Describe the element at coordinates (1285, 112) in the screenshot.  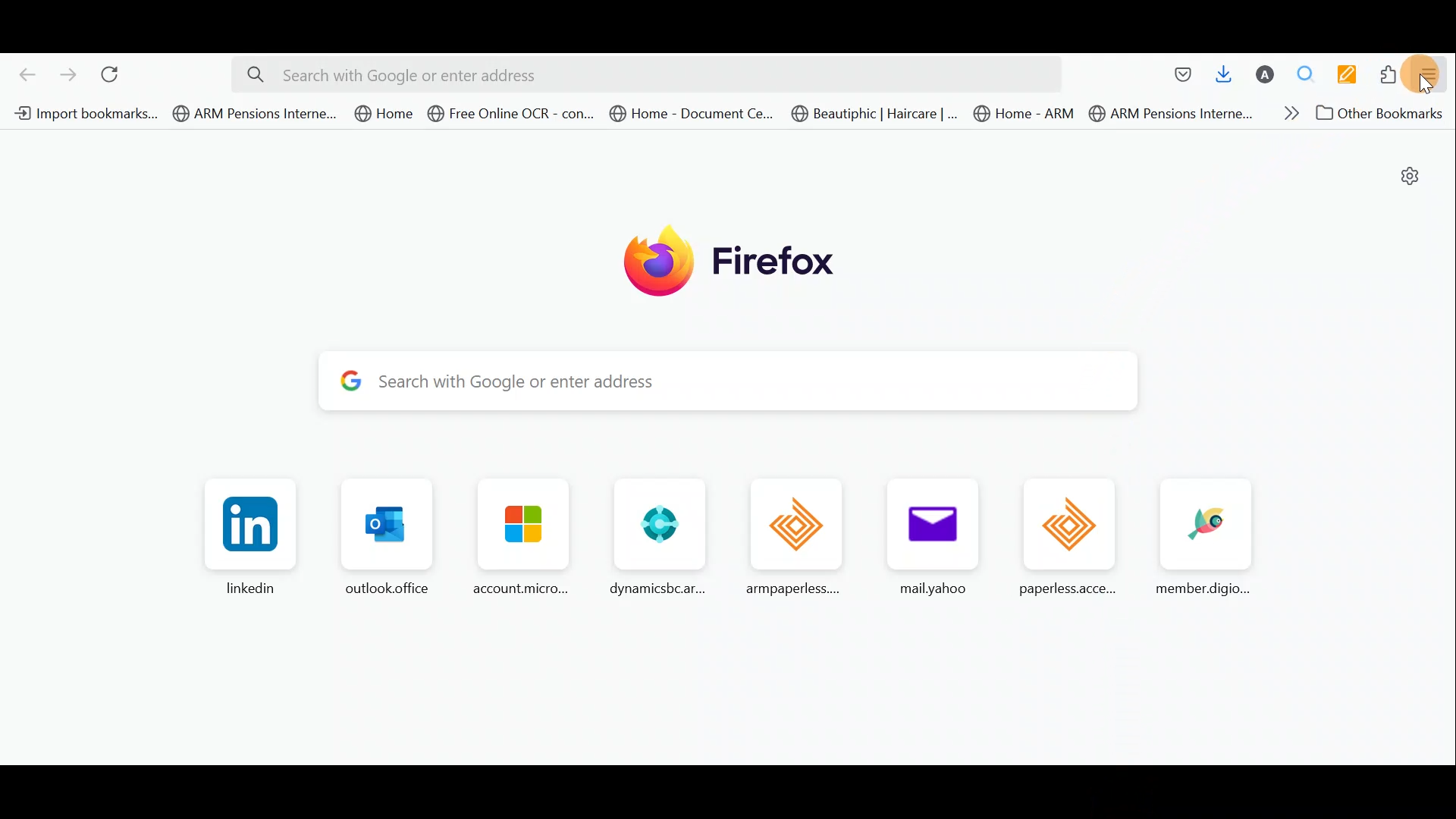
I see `Show more bookmarks` at that location.